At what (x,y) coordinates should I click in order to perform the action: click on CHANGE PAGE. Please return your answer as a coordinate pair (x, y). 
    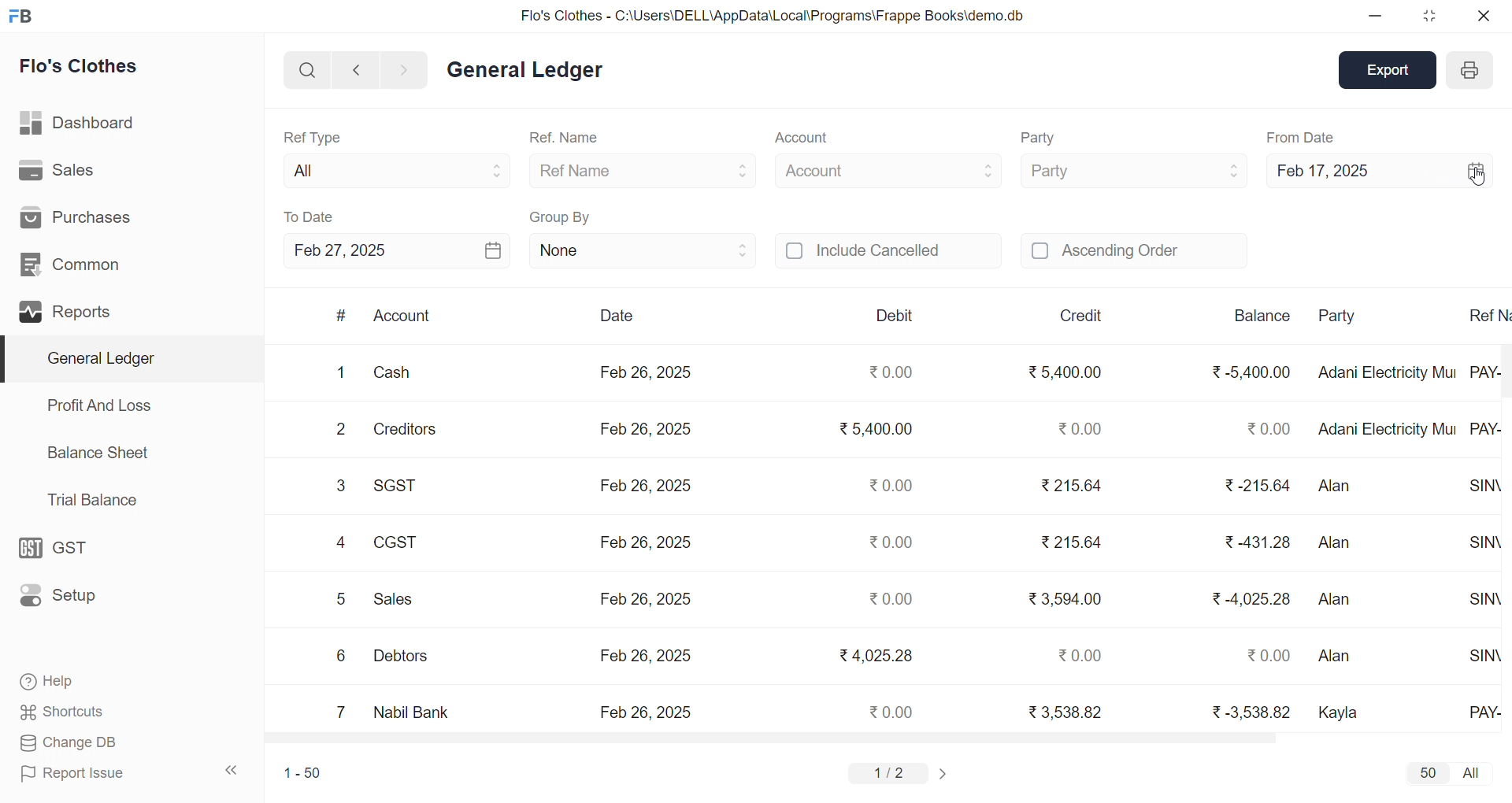
    Looking at the image, I should click on (945, 773).